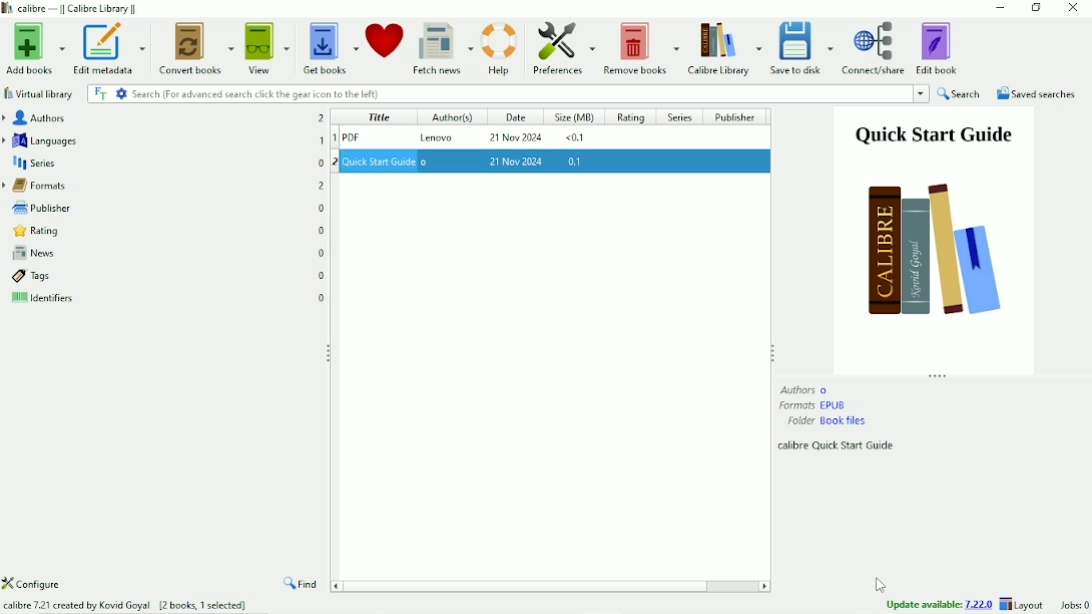 This screenshot has width=1092, height=614. Describe the element at coordinates (838, 446) in the screenshot. I see `calibre Quick Start Guide` at that location.